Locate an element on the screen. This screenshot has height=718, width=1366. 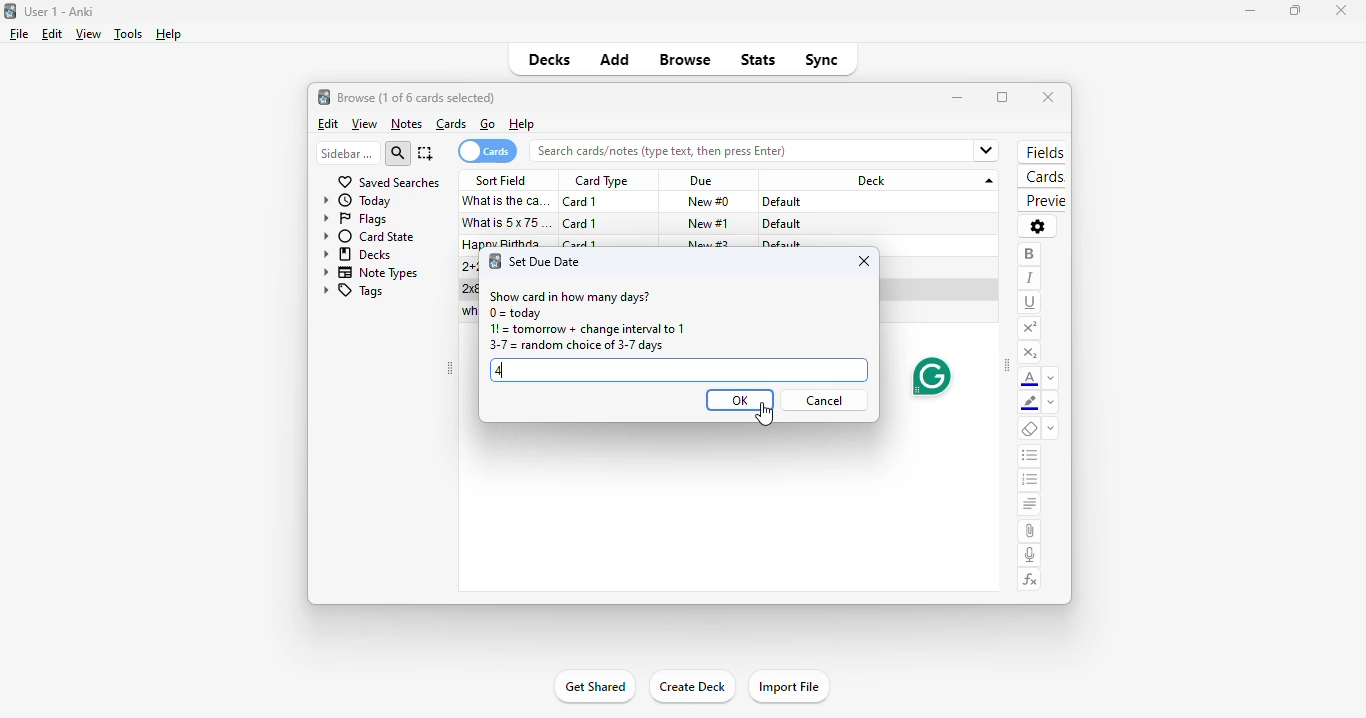
4  is located at coordinates (677, 371).